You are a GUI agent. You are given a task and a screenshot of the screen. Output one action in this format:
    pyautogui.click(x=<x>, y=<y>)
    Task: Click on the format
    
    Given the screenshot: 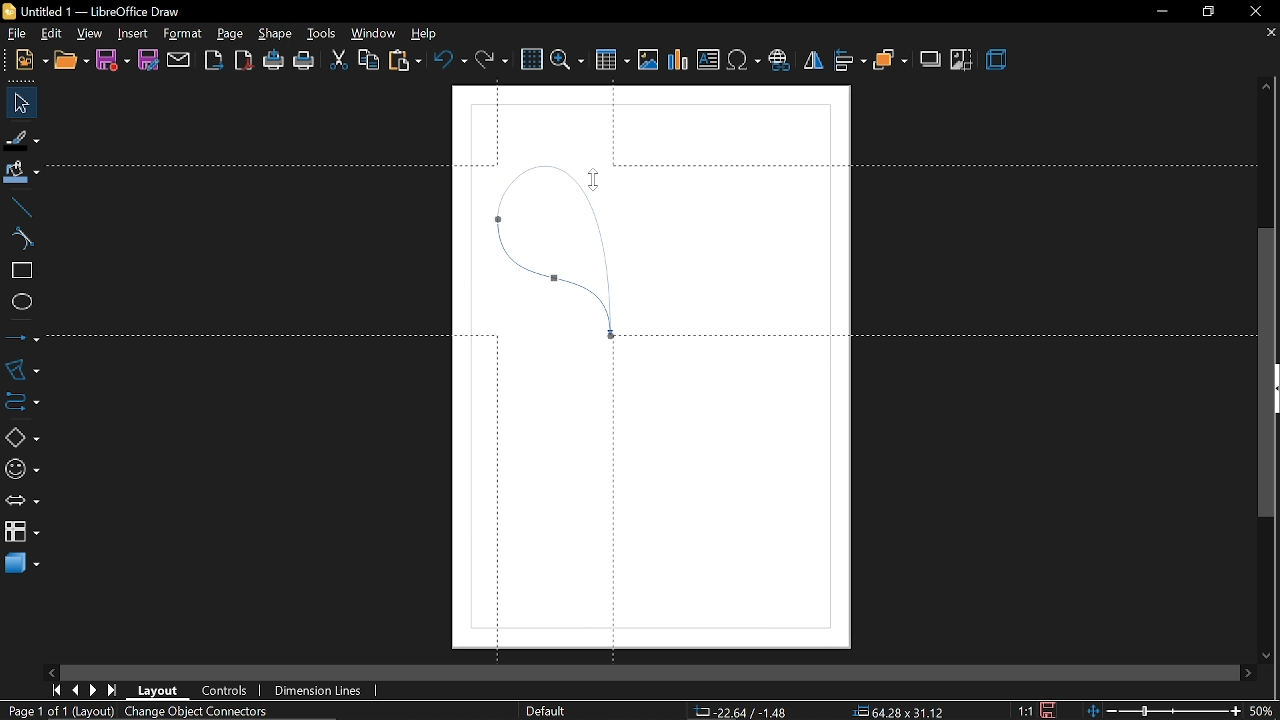 What is the action you would take?
    pyautogui.click(x=182, y=34)
    